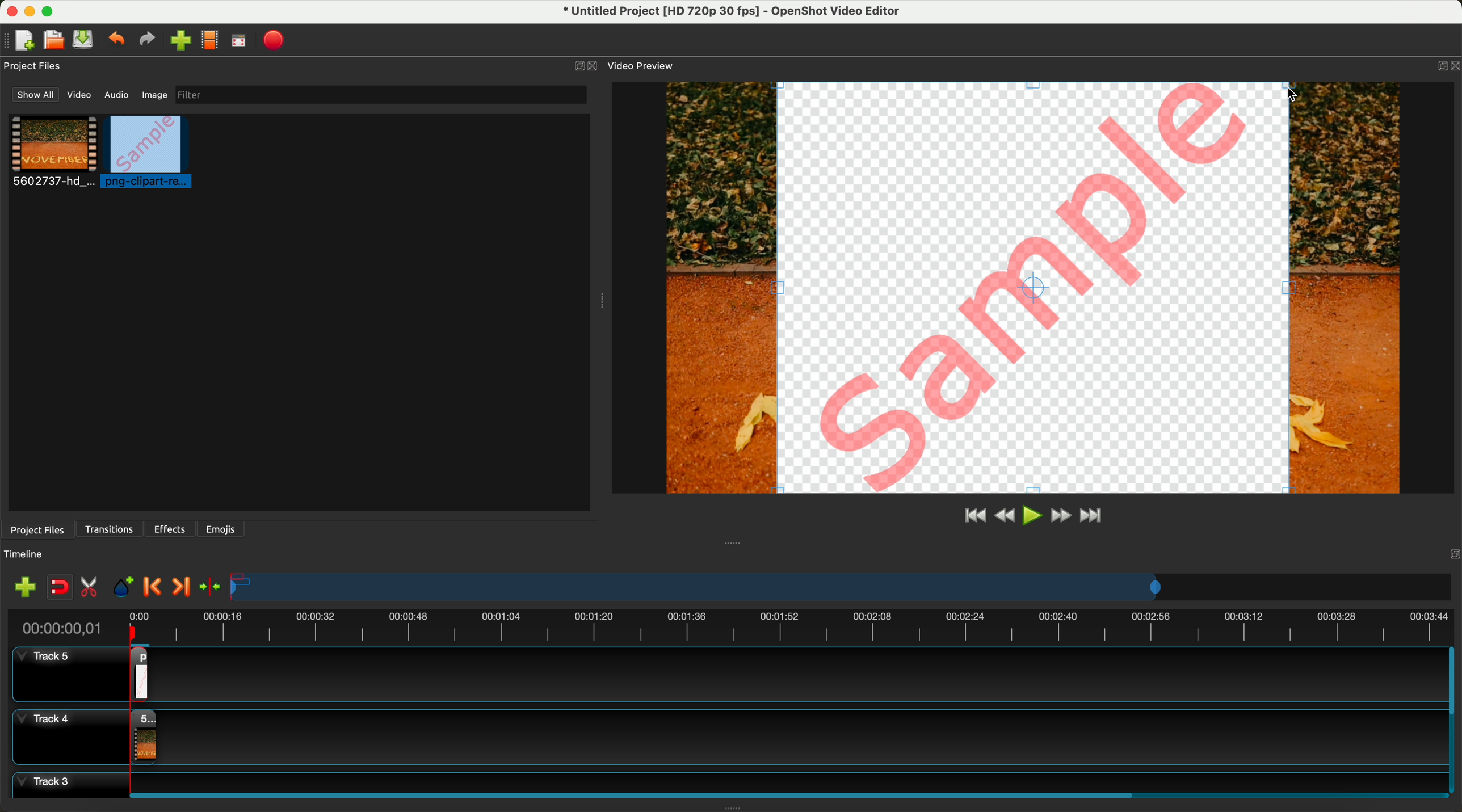 This screenshot has height=812, width=1462. What do you see at coordinates (117, 94) in the screenshot?
I see `audio` at bounding box center [117, 94].